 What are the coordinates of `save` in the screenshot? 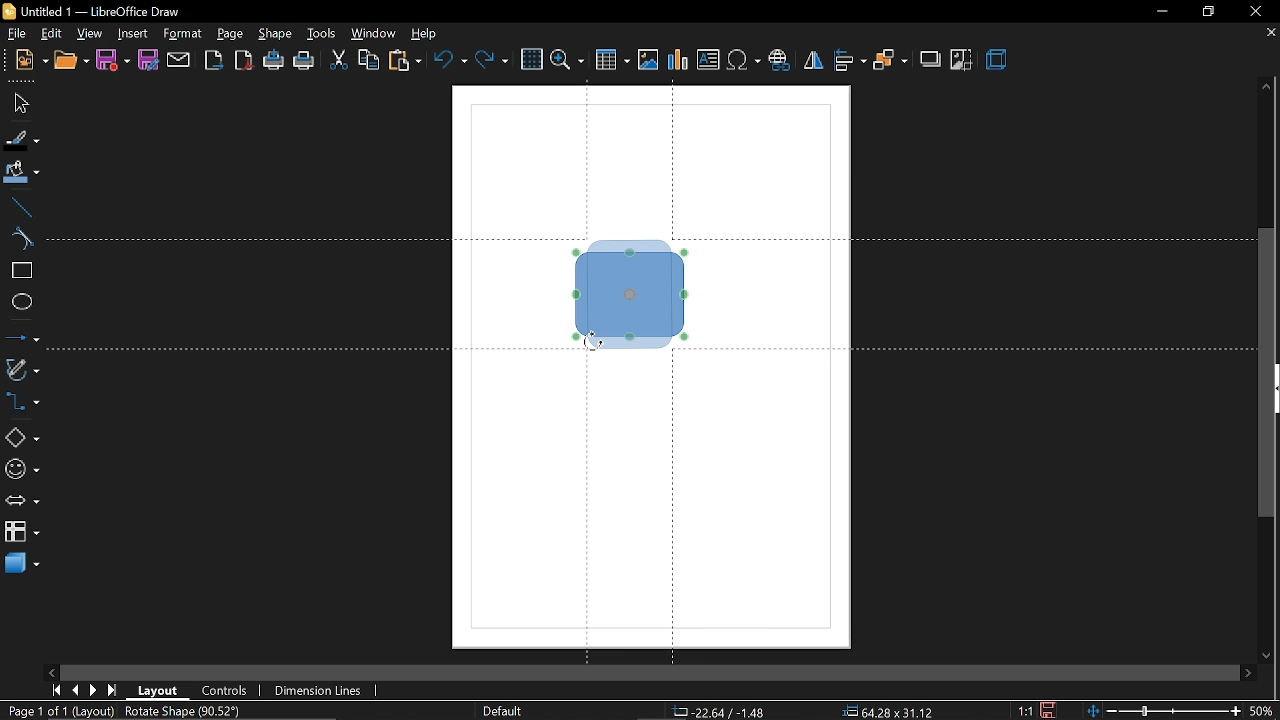 It's located at (1049, 710).